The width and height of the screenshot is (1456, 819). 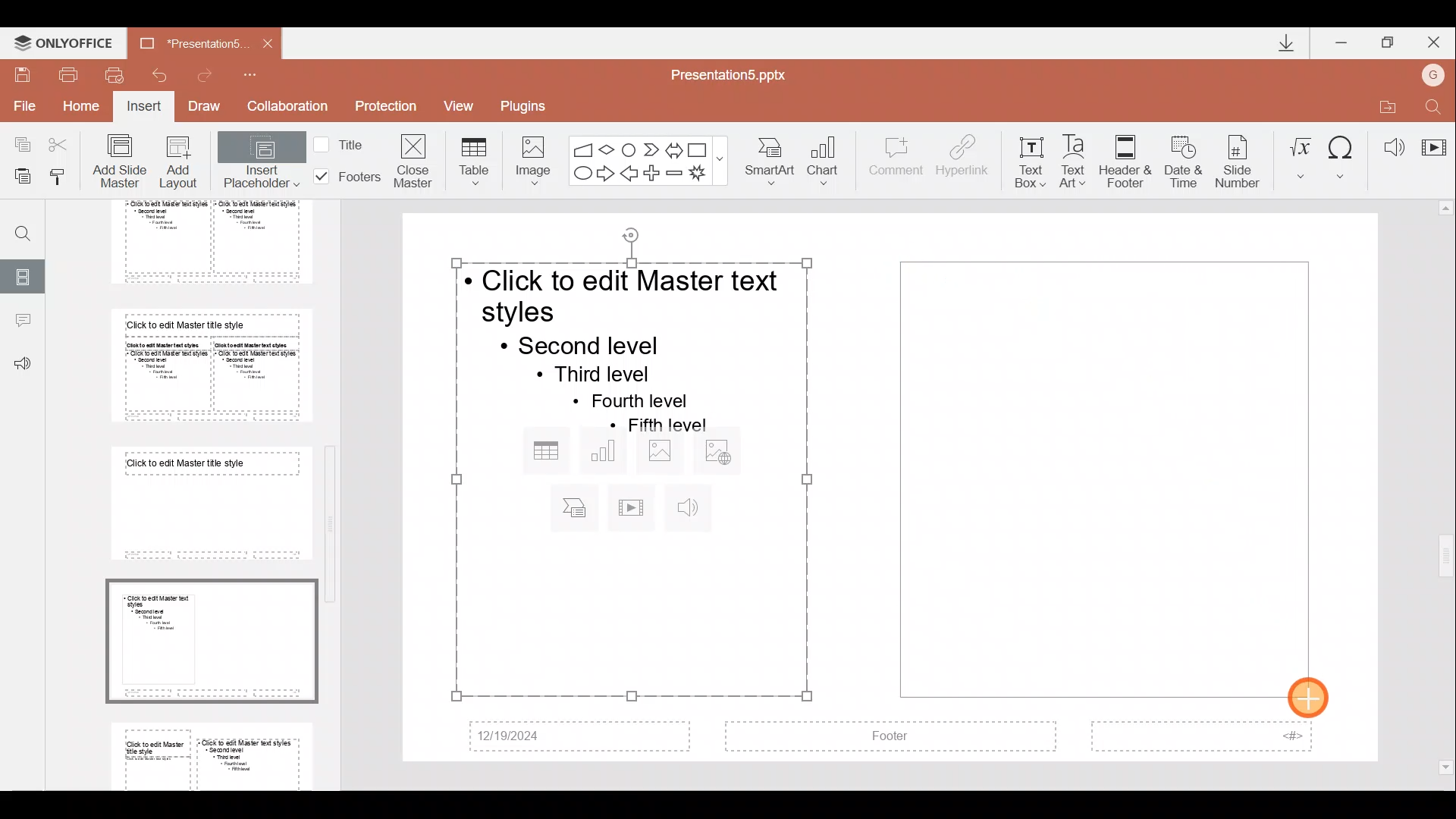 I want to click on Flowchart - manual input, so click(x=582, y=147).